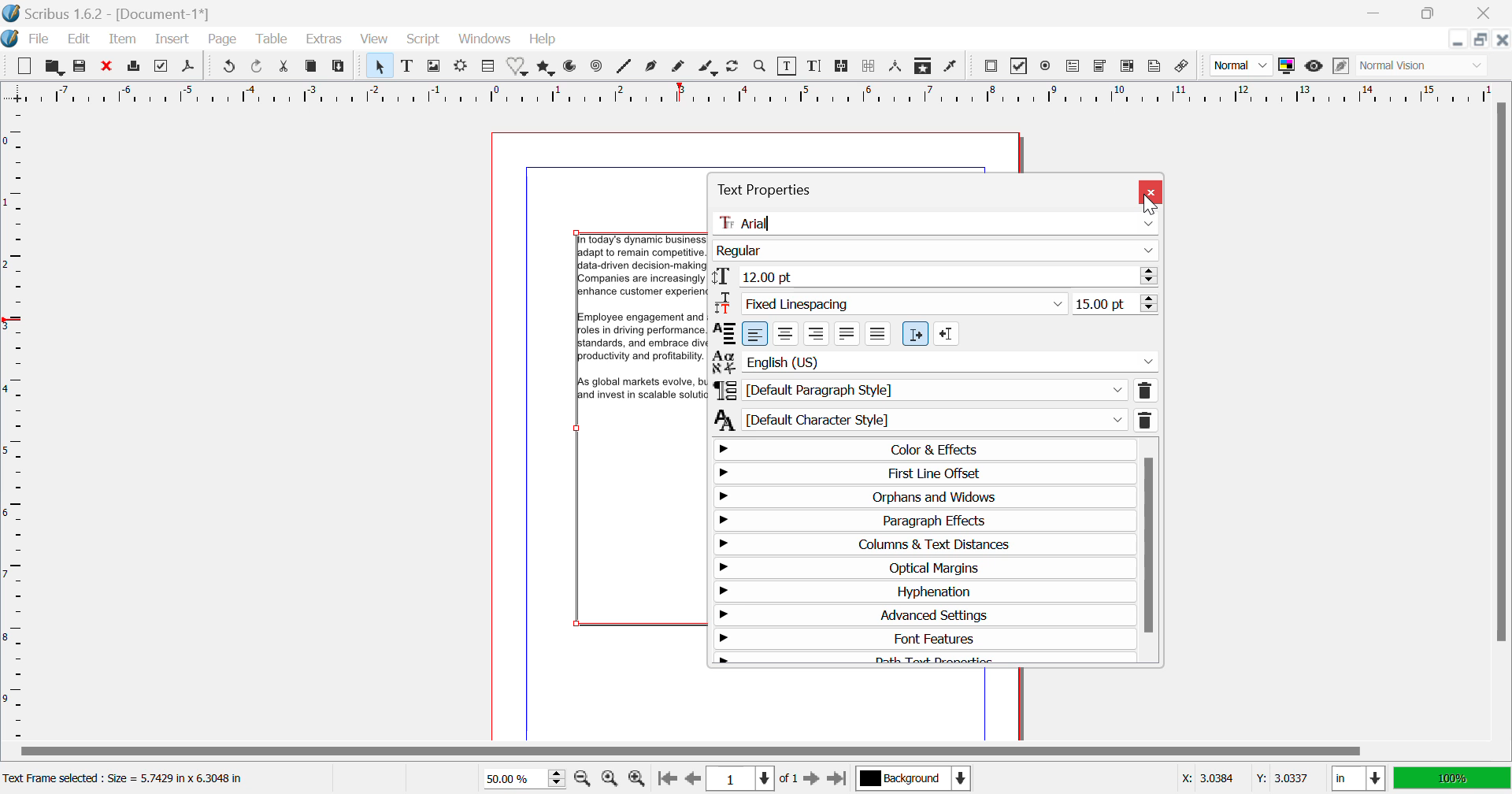 This screenshot has height=794, width=1512. What do you see at coordinates (1503, 41) in the screenshot?
I see `Close` at bounding box center [1503, 41].